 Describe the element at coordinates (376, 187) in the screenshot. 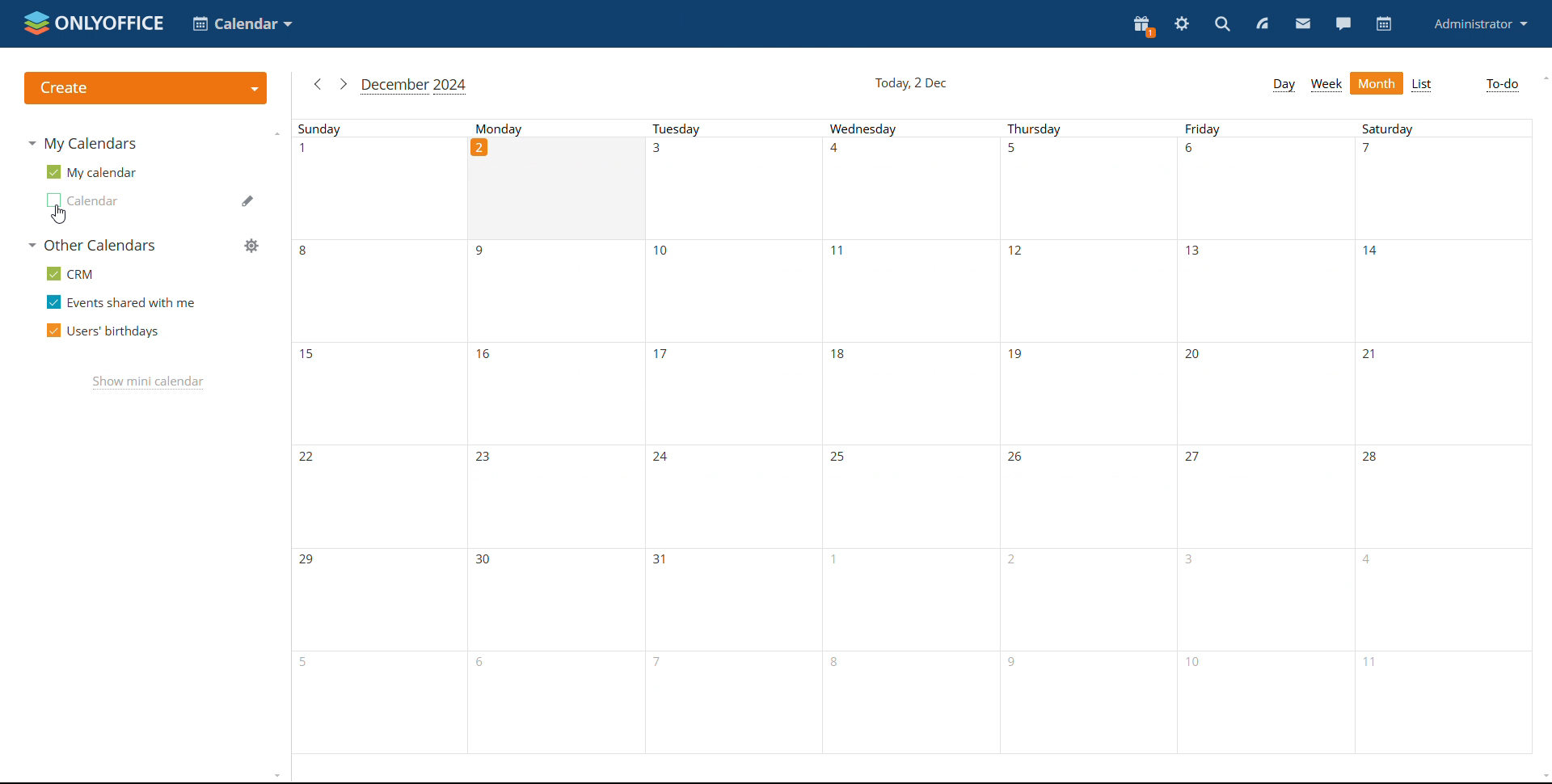

I see `1` at that location.